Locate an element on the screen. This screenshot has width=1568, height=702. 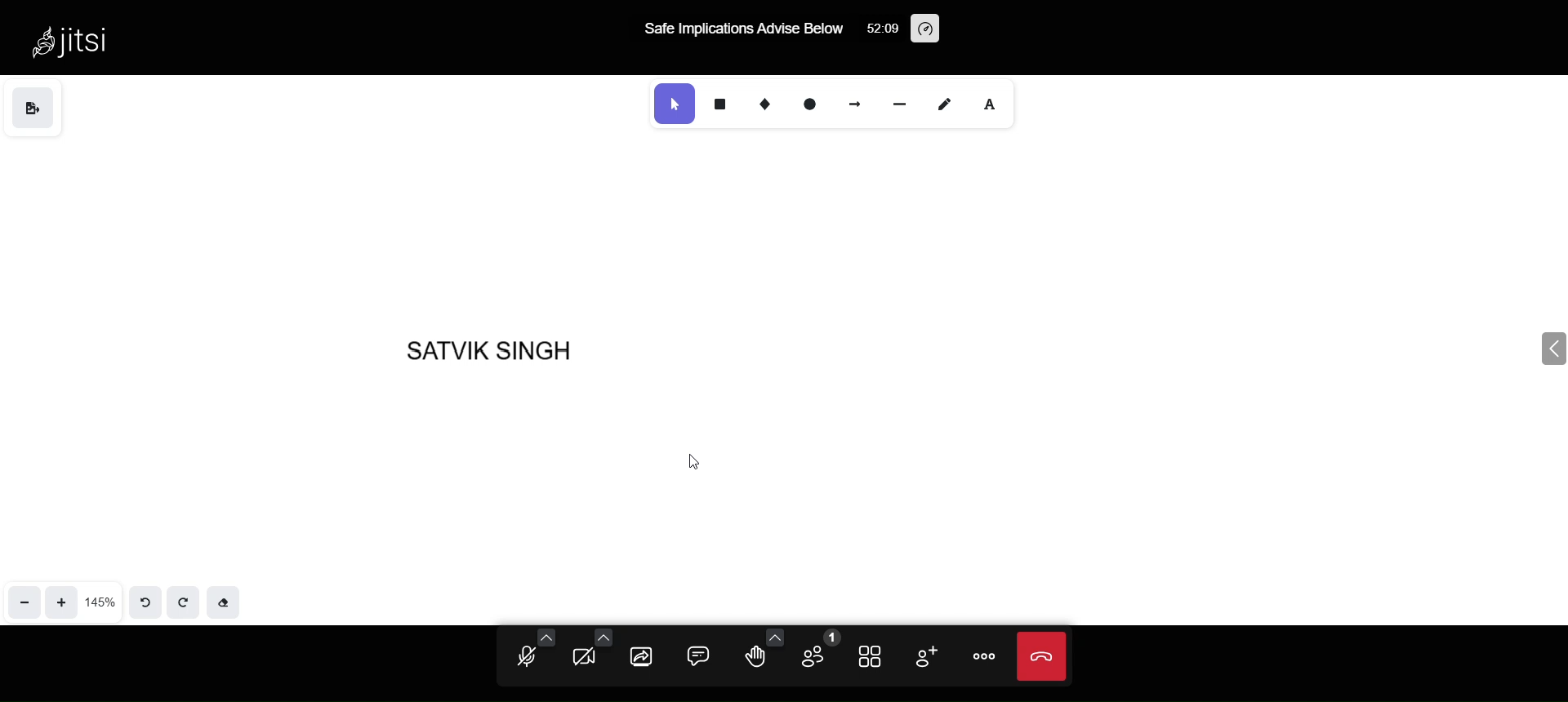
Safe Implications Advise Below is located at coordinates (746, 30).